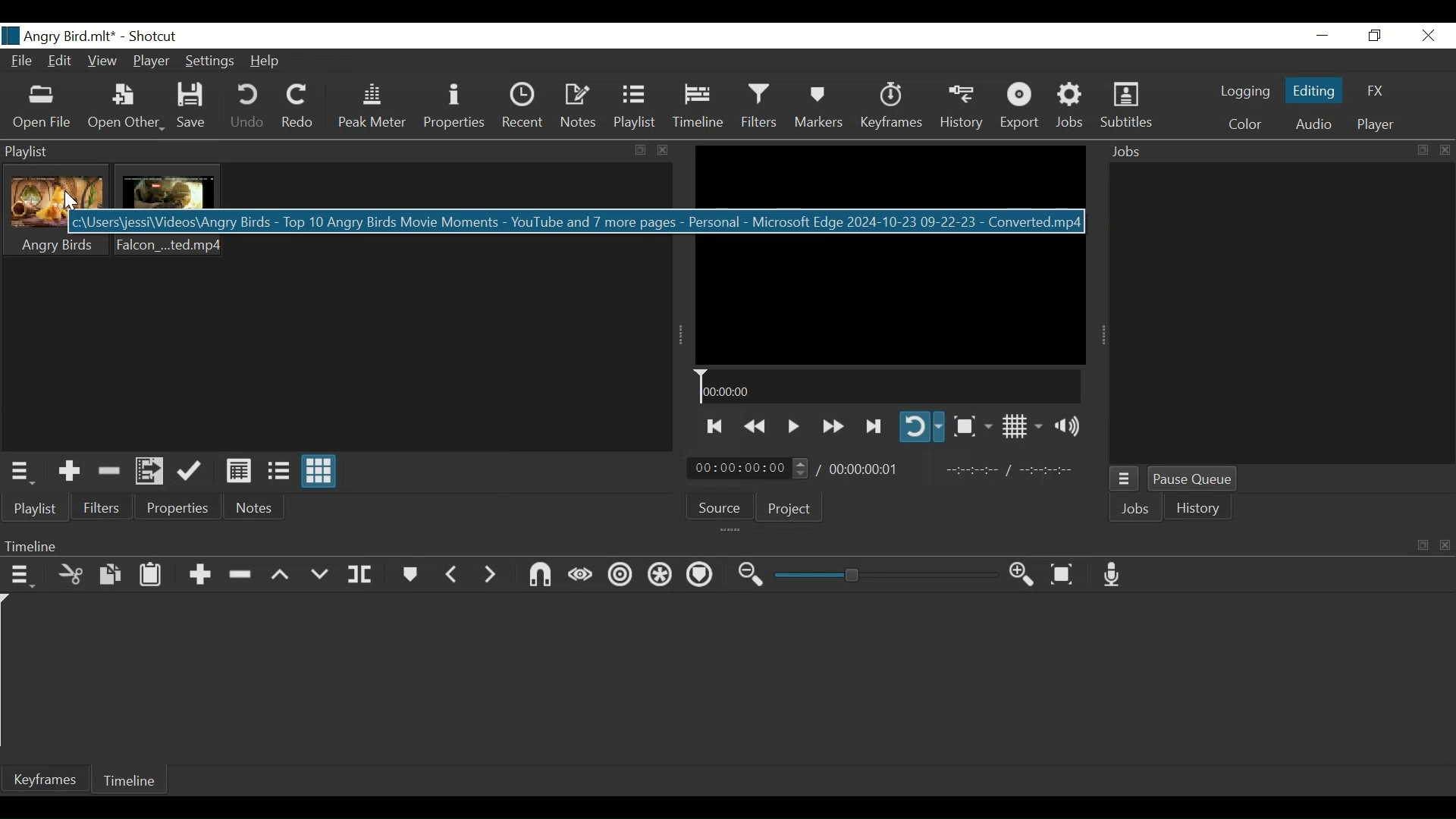  Describe the element at coordinates (25, 62) in the screenshot. I see `File` at that location.